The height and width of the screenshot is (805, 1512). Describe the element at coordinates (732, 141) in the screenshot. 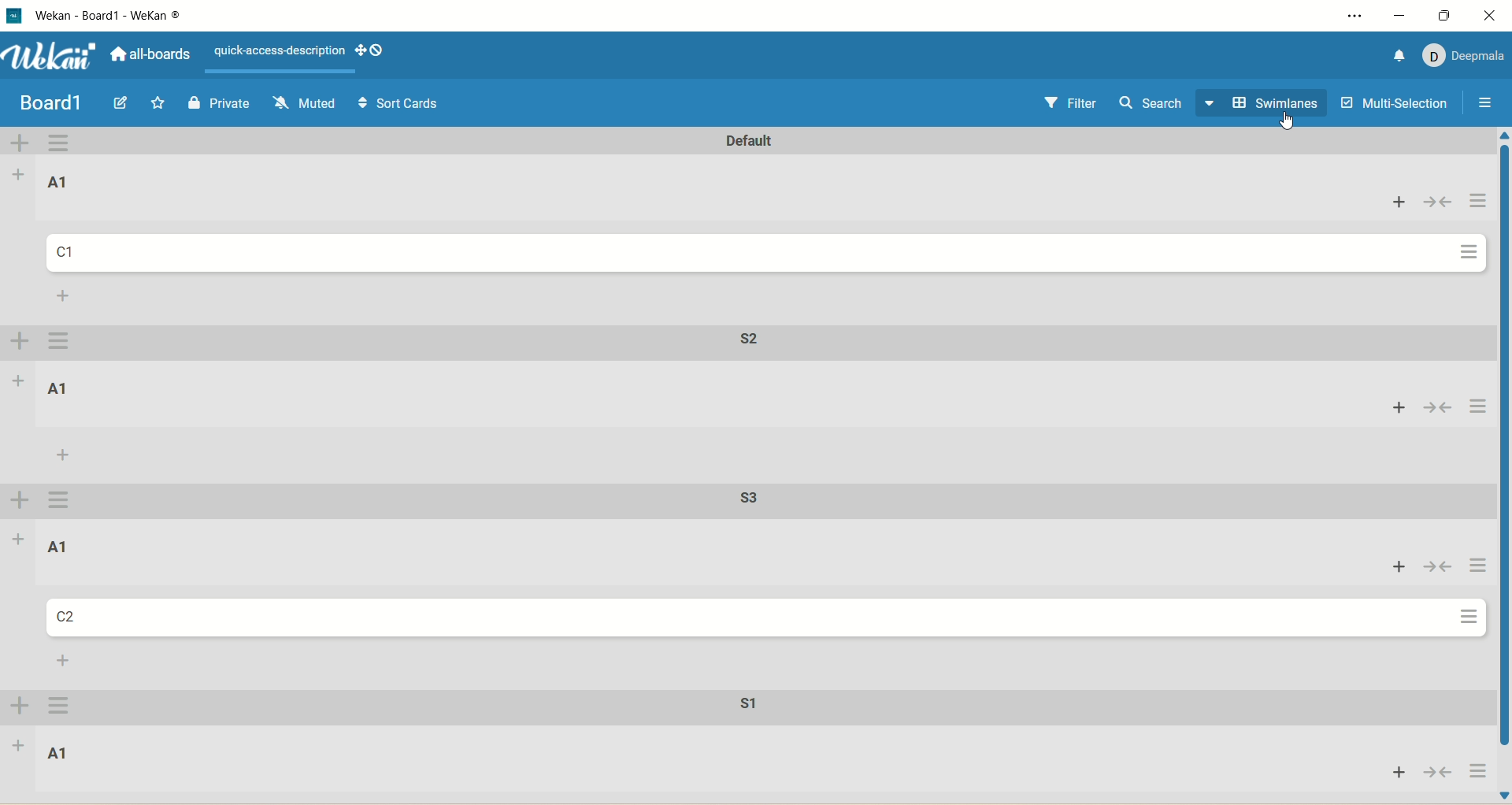

I see `default` at that location.